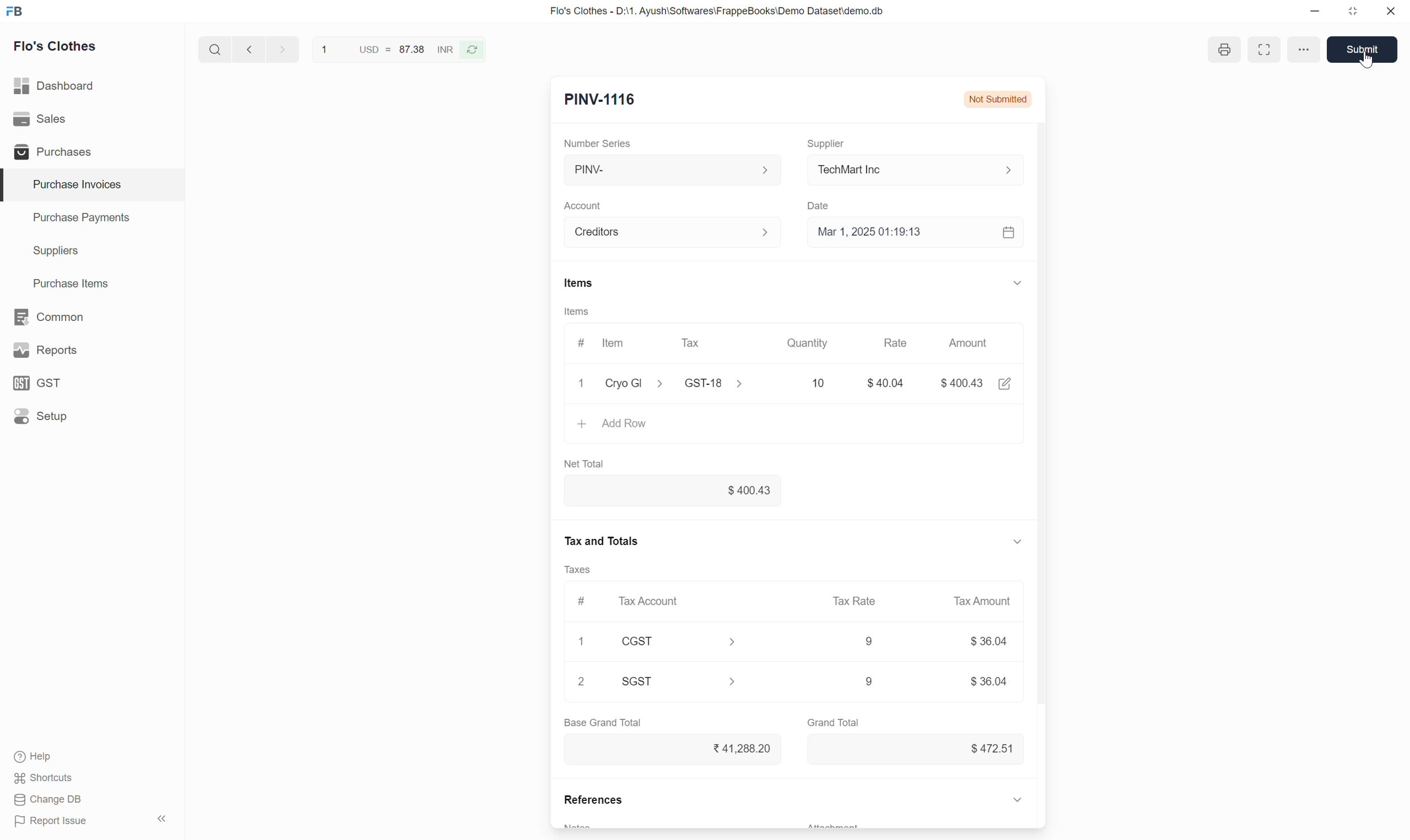  I want to click on Report issue, so click(55, 823).